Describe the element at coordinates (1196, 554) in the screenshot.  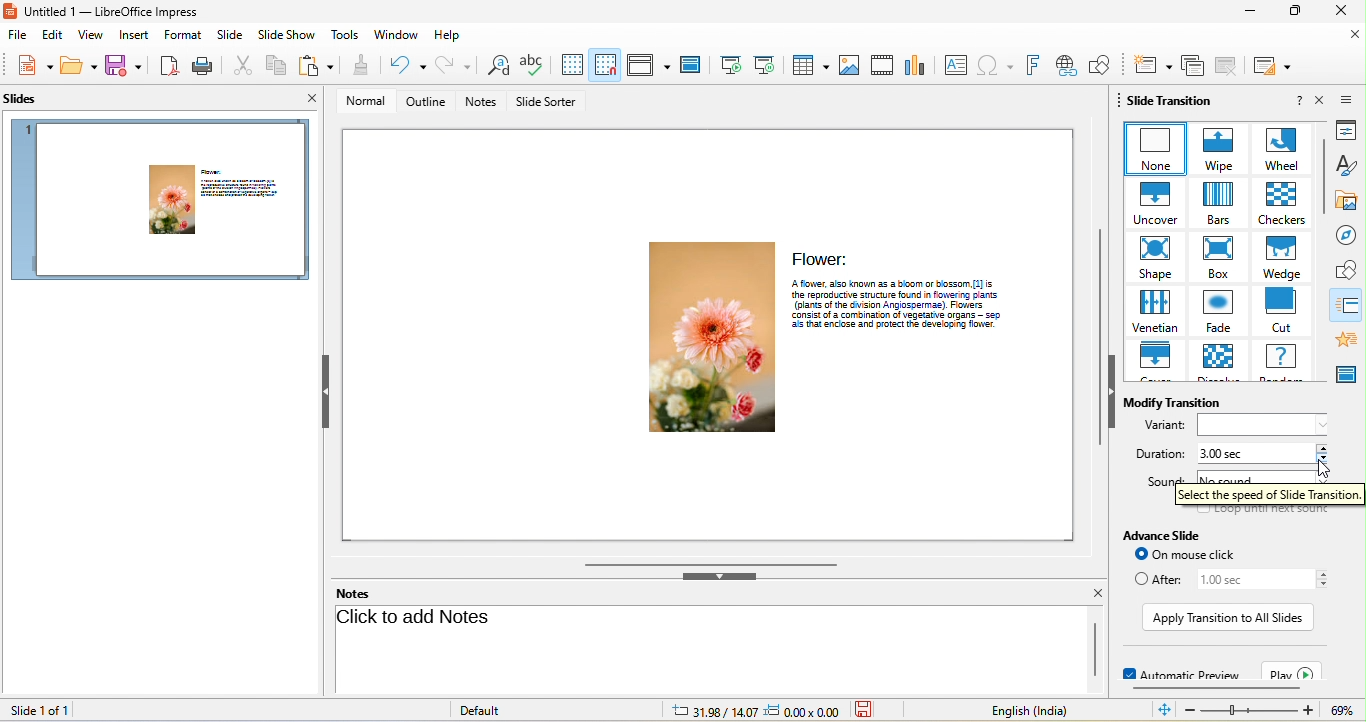
I see `on mouse click` at that location.